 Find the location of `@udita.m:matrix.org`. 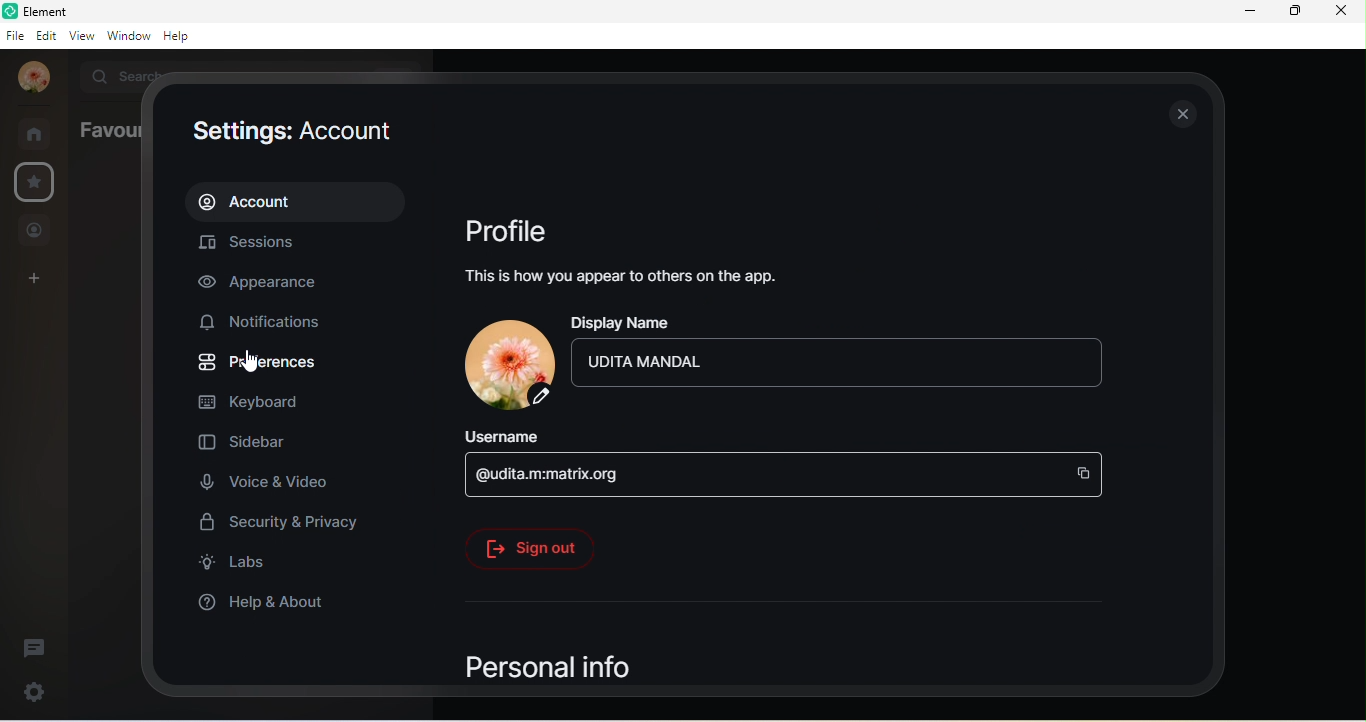

@udita.m:matrix.org is located at coordinates (583, 475).